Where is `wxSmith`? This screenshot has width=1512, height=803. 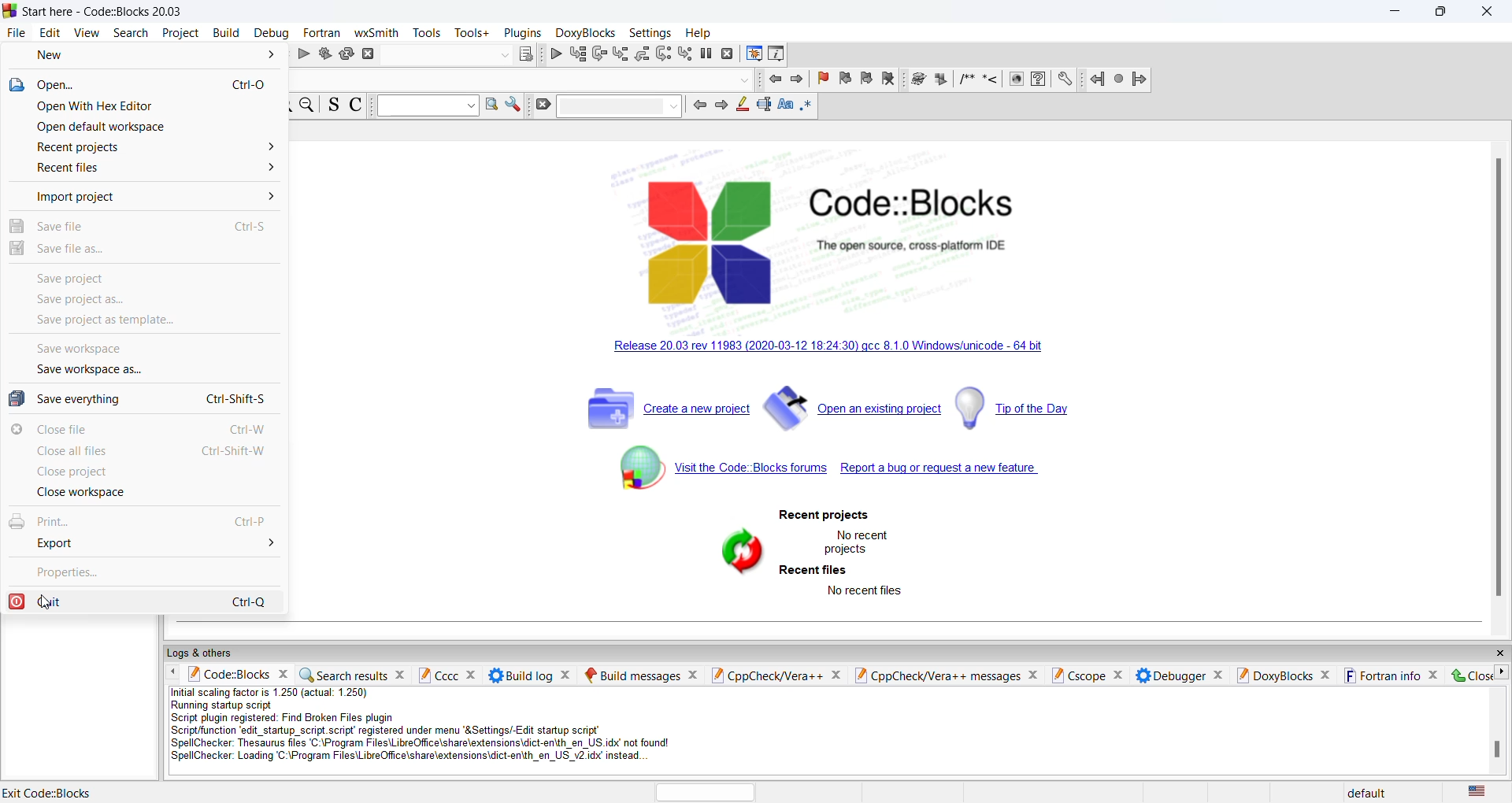 wxSmith is located at coordinates (377, 32).